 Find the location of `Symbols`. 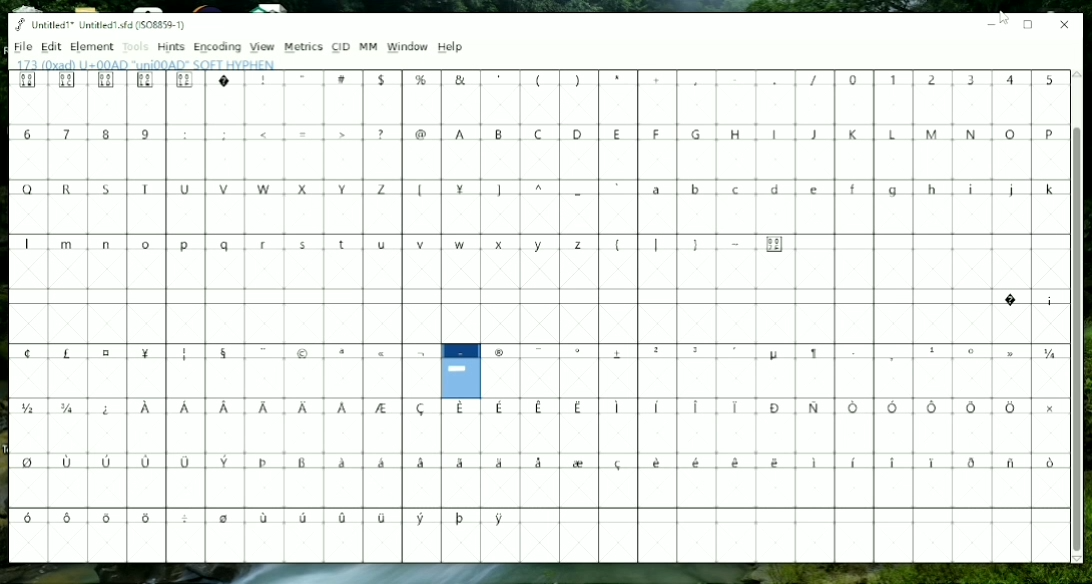

Symbols is located at coordinates (223, 351).